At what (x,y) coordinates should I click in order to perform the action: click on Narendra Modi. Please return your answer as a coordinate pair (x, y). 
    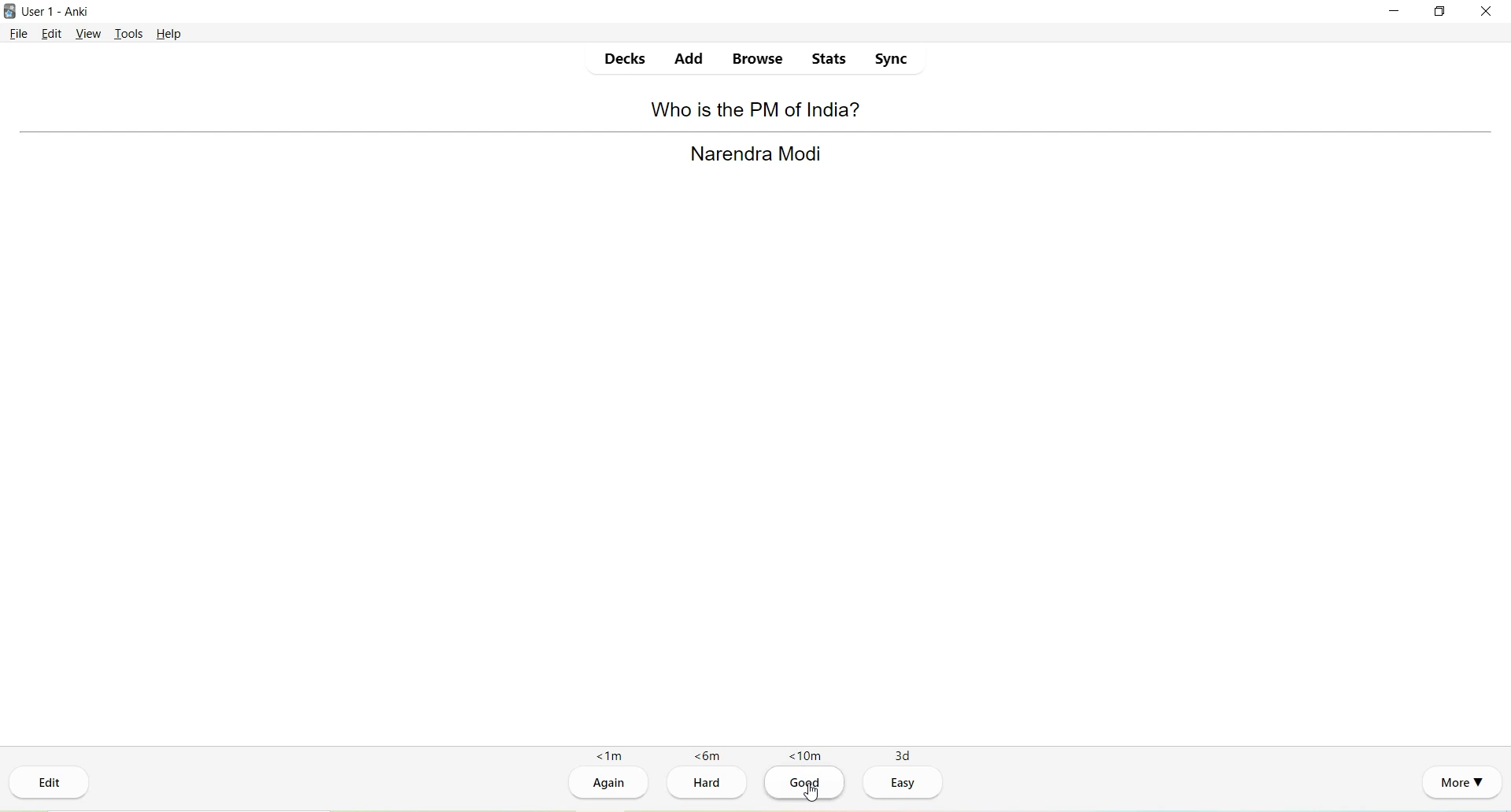
    Looking at the image, I should click on (754, 158).